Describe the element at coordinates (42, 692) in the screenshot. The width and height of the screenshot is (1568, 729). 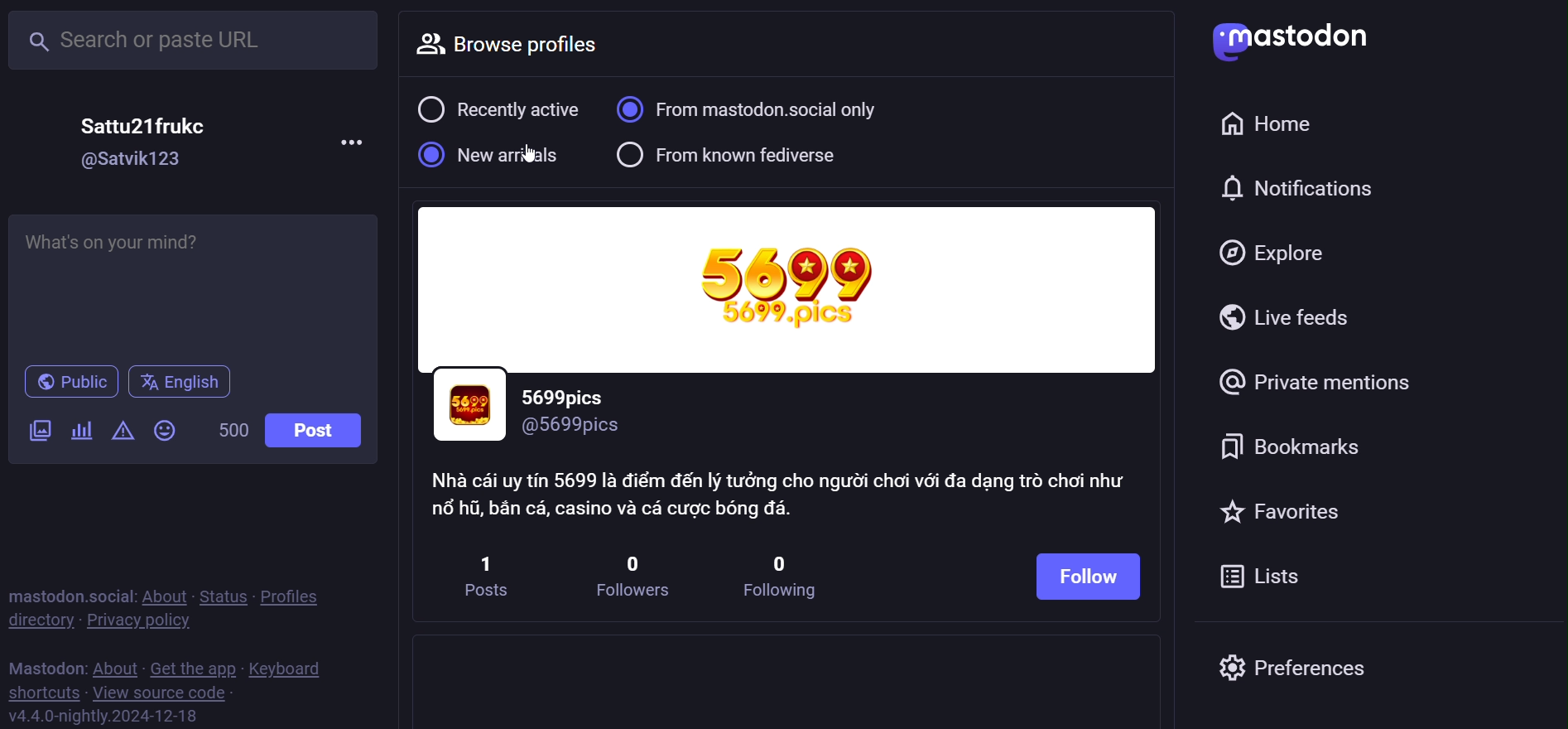
I see `shortcuts` at that location.